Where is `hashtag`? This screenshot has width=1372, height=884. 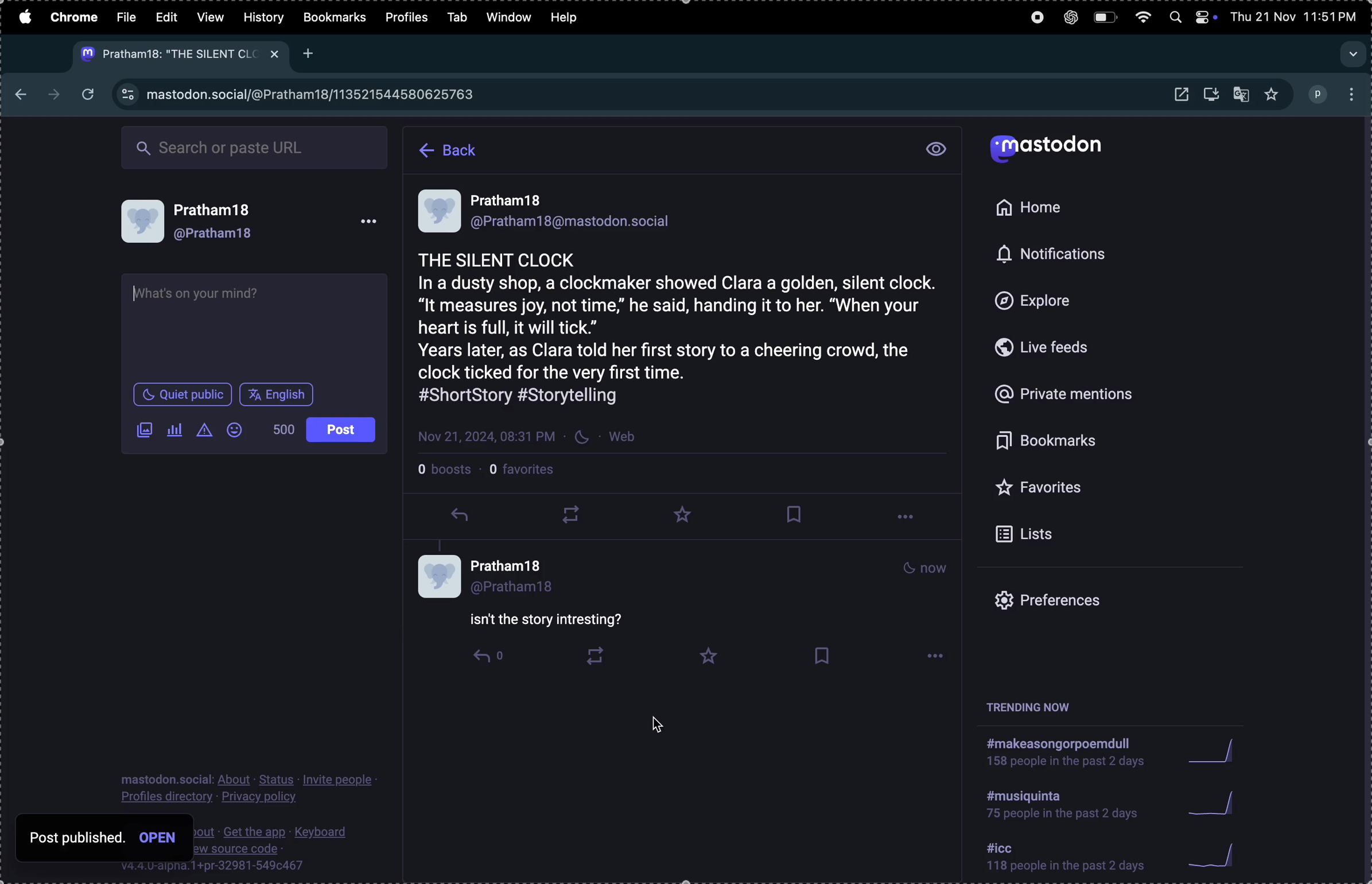
hashtag is located at coordinates (1066, 750).